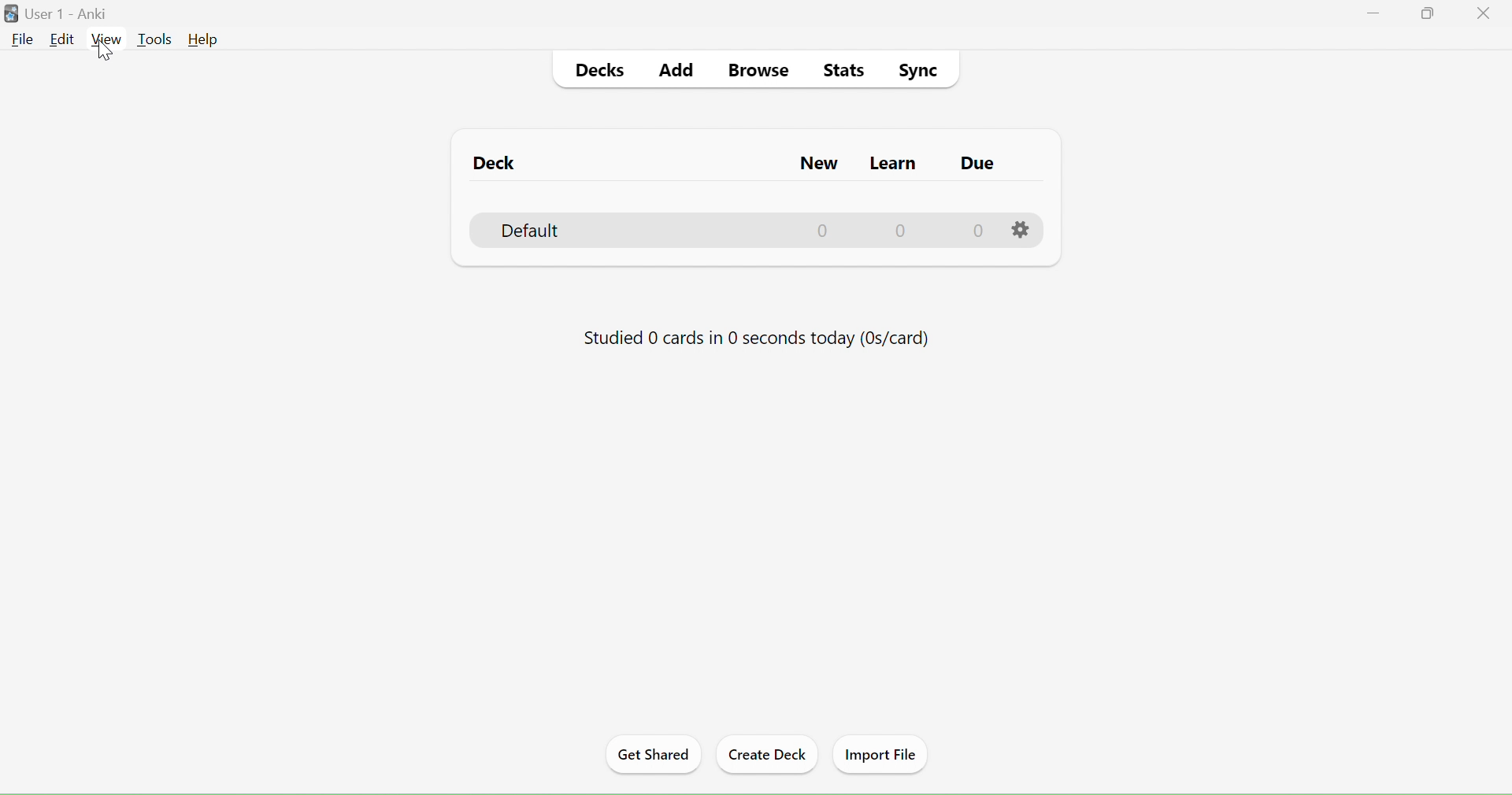 This screenshot has width=1512, height=795. I want to click on Cursor, so click(106, 50).